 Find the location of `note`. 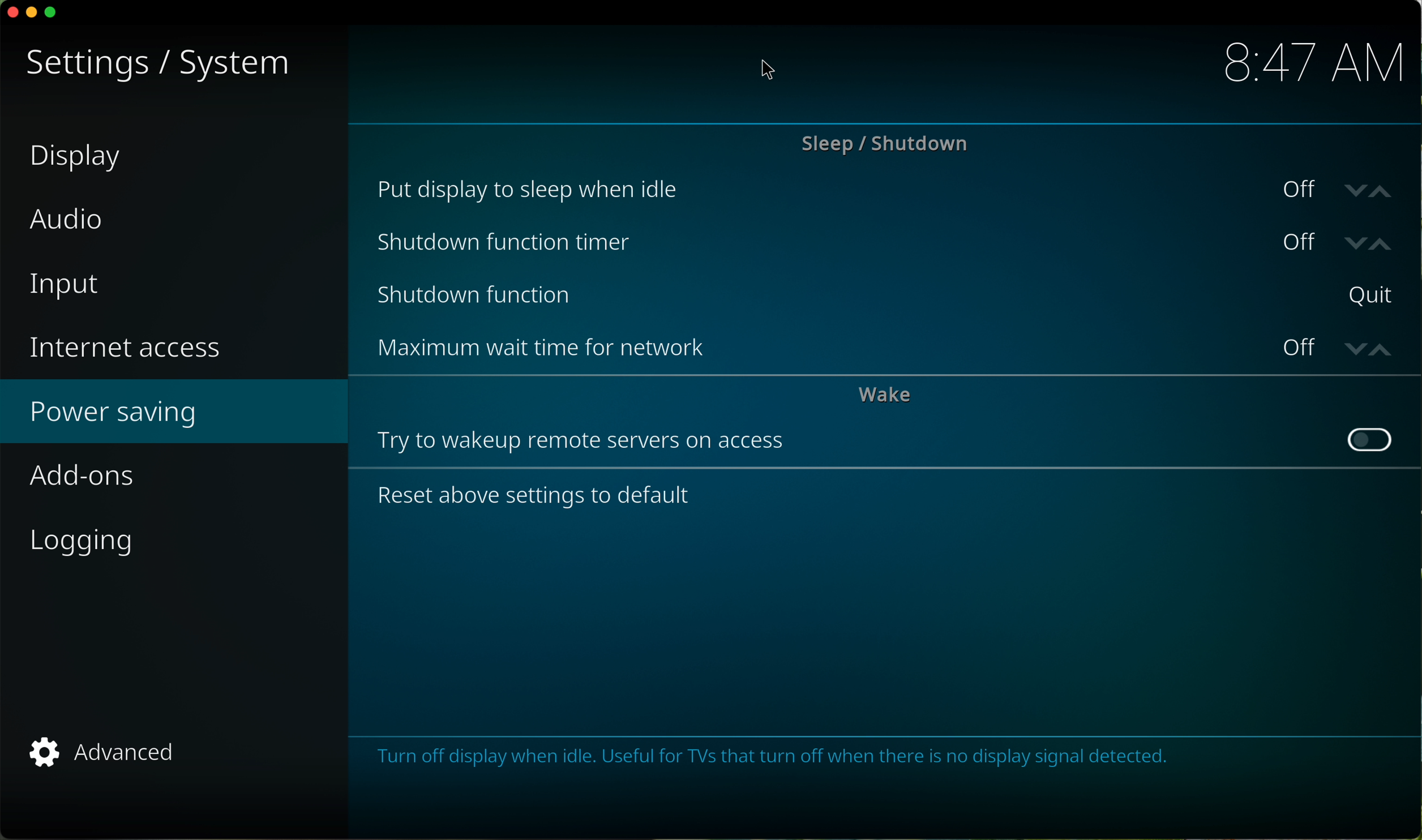

note is located at coordinates (780, 758).